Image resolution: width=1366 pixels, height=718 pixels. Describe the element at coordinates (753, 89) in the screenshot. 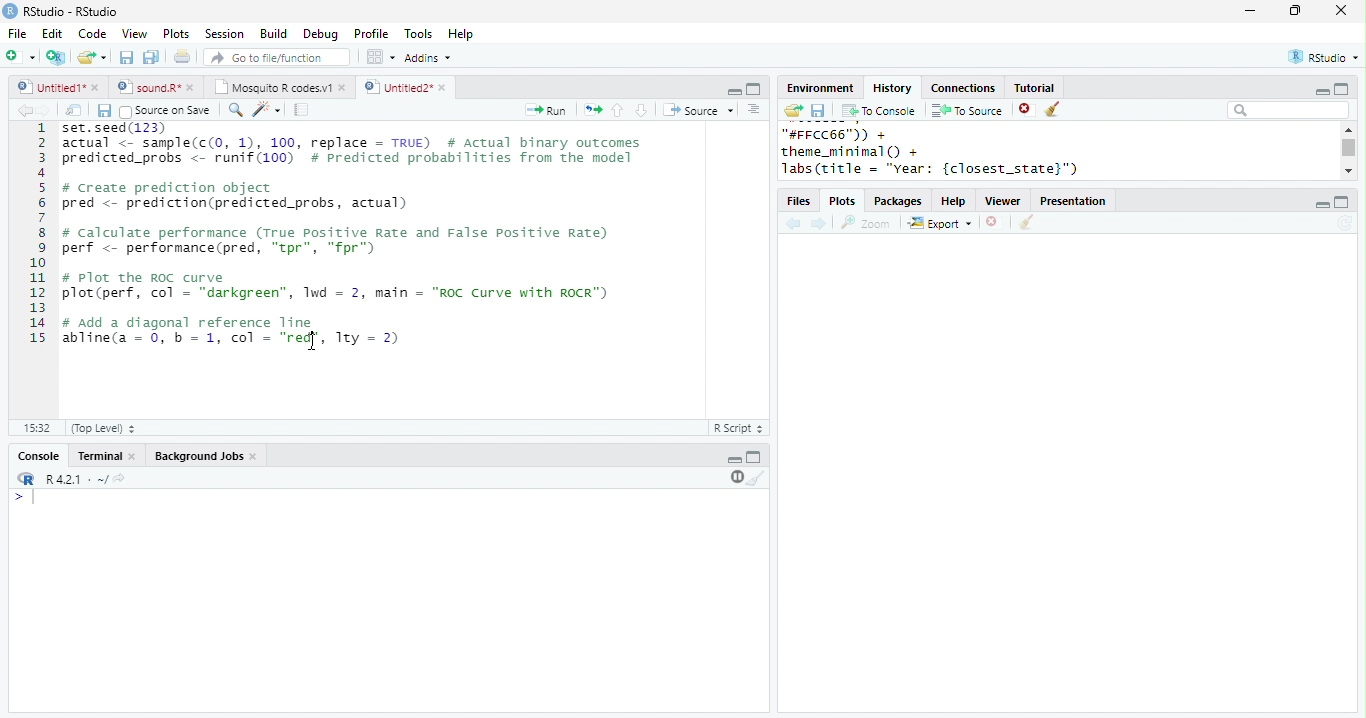

I see `maximize` at that location.